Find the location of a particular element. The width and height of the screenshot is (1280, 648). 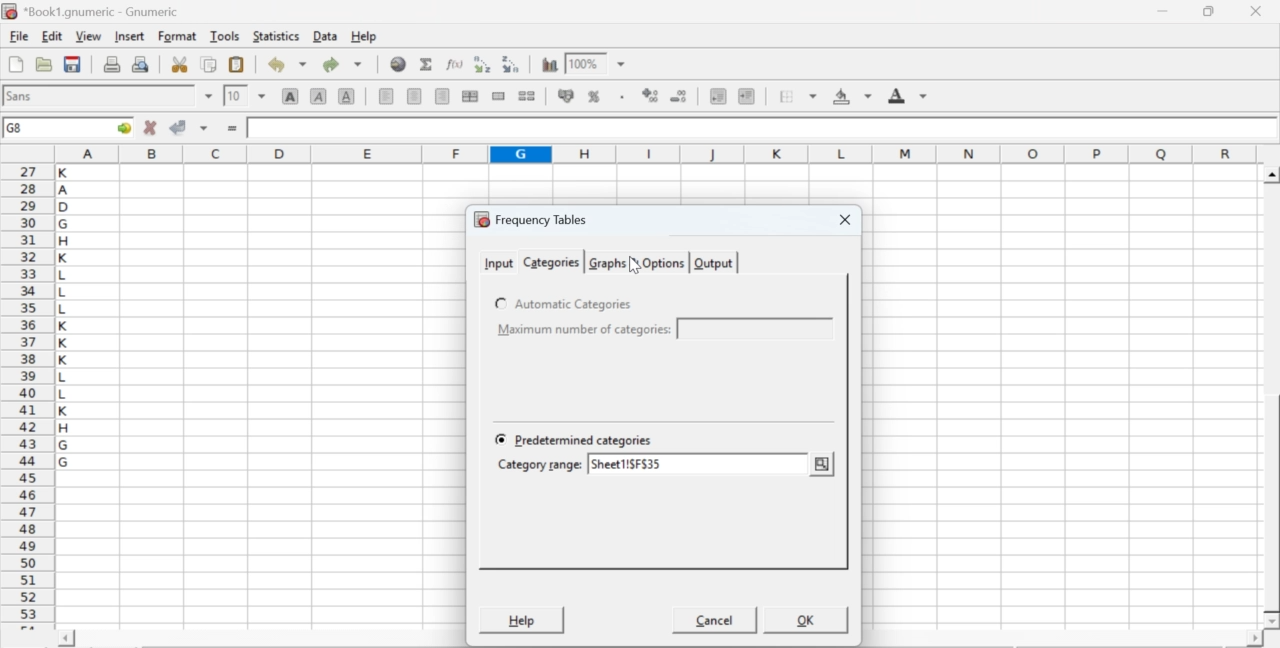

sheet1!$F$35 is located at coordinates (627, 465).